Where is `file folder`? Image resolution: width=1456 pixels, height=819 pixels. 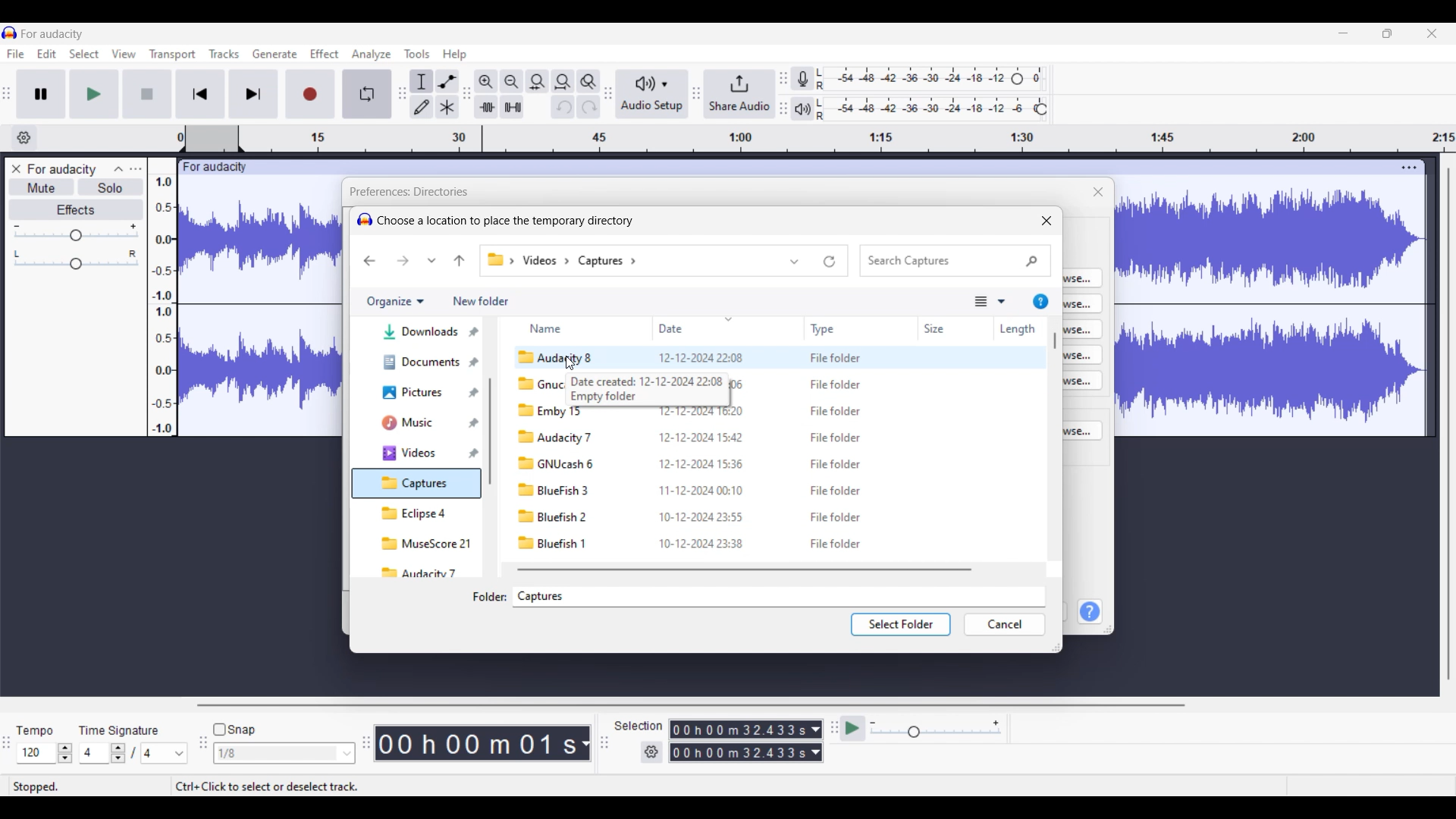
file folder is located at coordinates (835, 357).